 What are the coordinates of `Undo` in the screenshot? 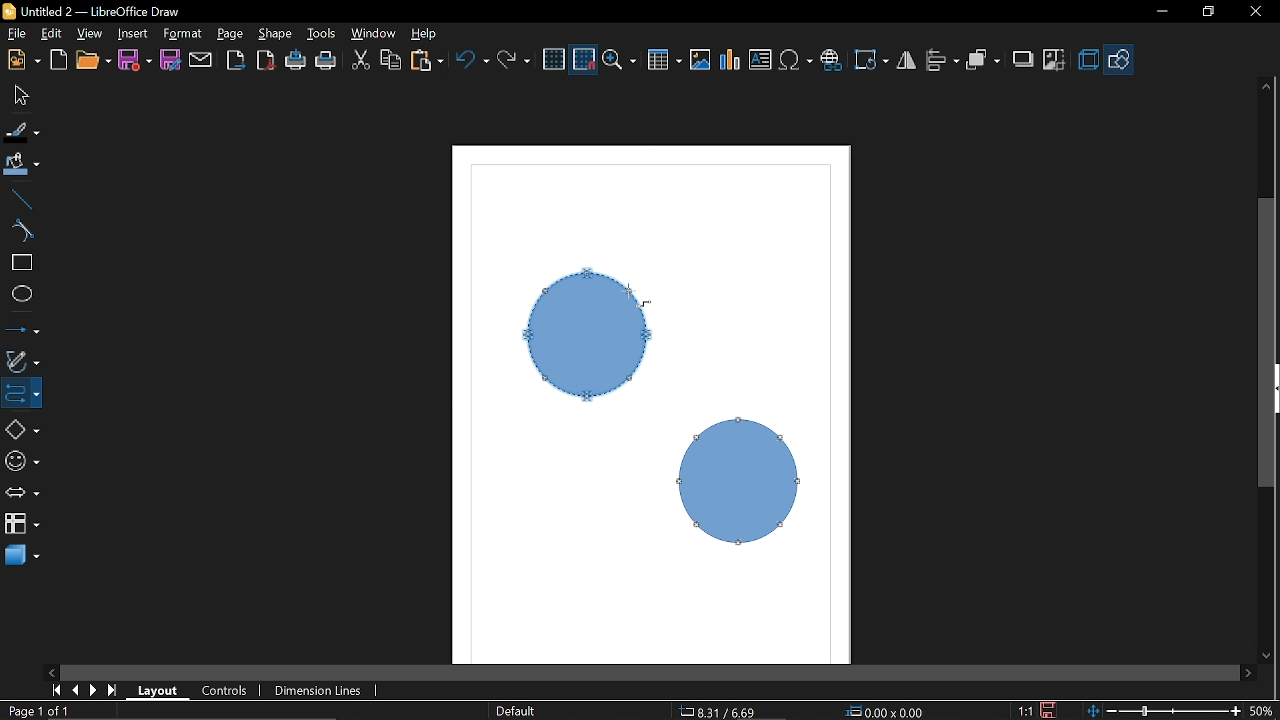 It's located at (472, 59).